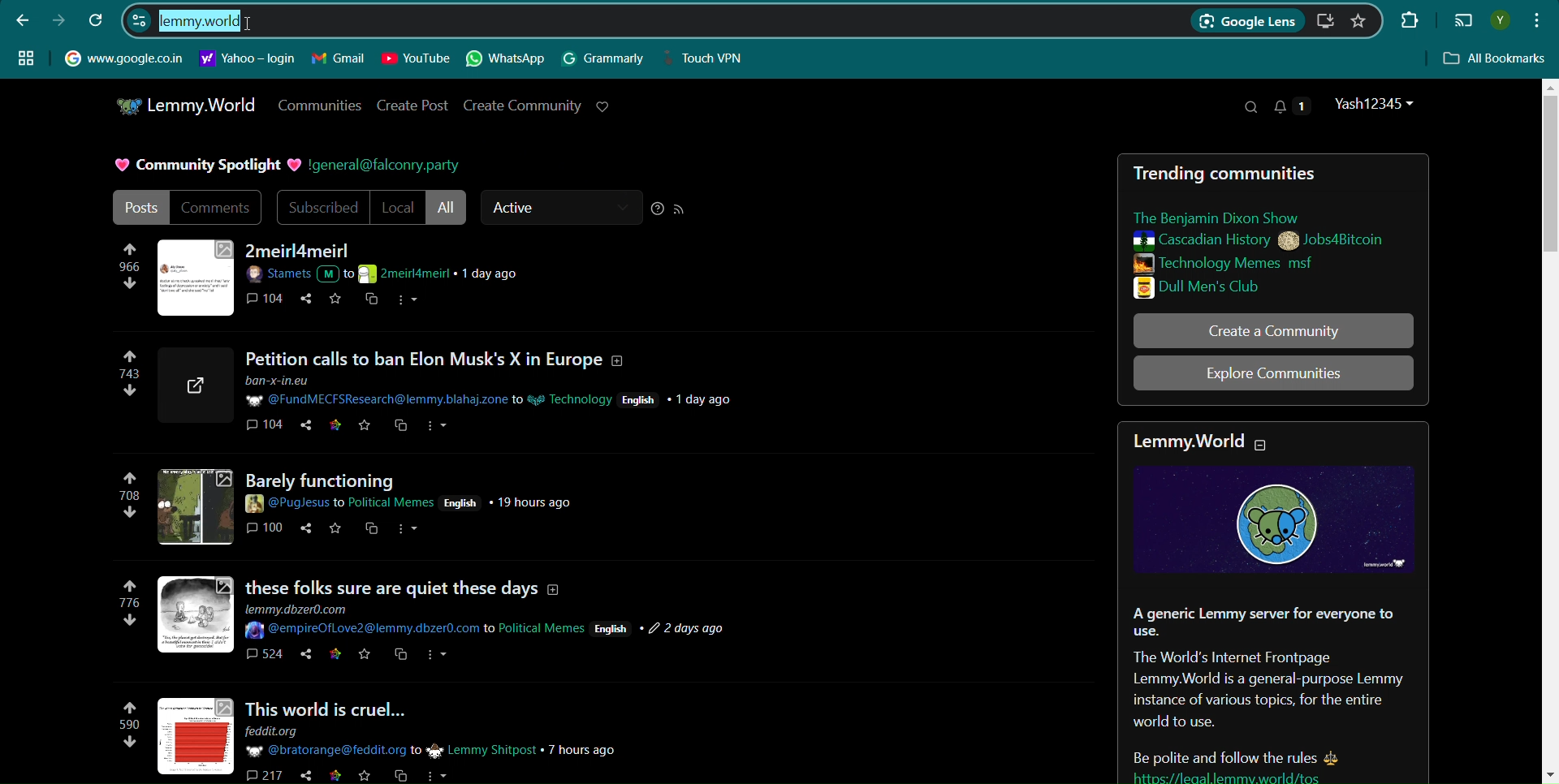  Describe the element at coordinates (1217, 752) in the screenshot. I see `Be polite and follow the rules ` at that location.